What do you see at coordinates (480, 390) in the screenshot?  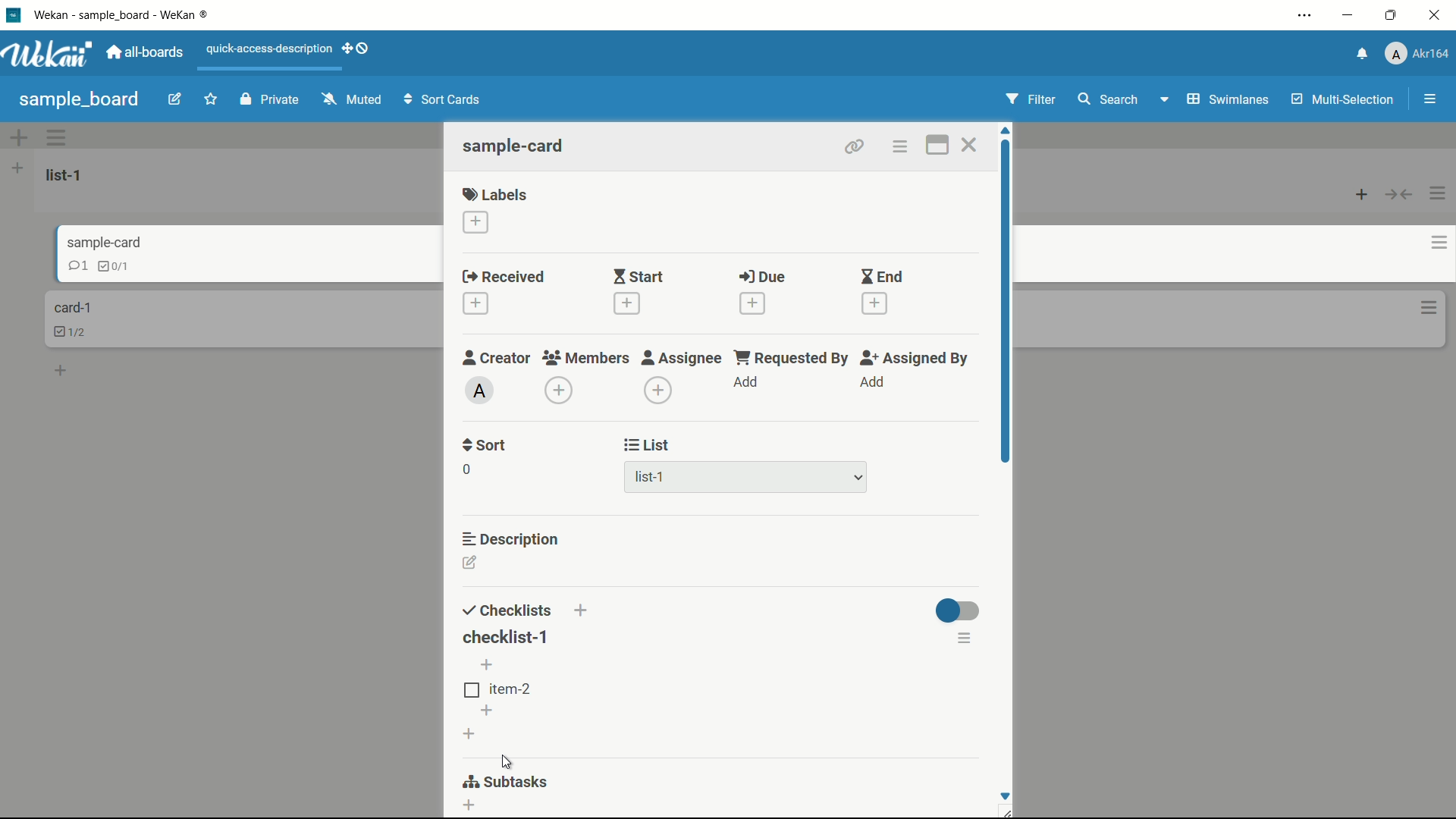 I see `admin` at bounding box center [480, 390].